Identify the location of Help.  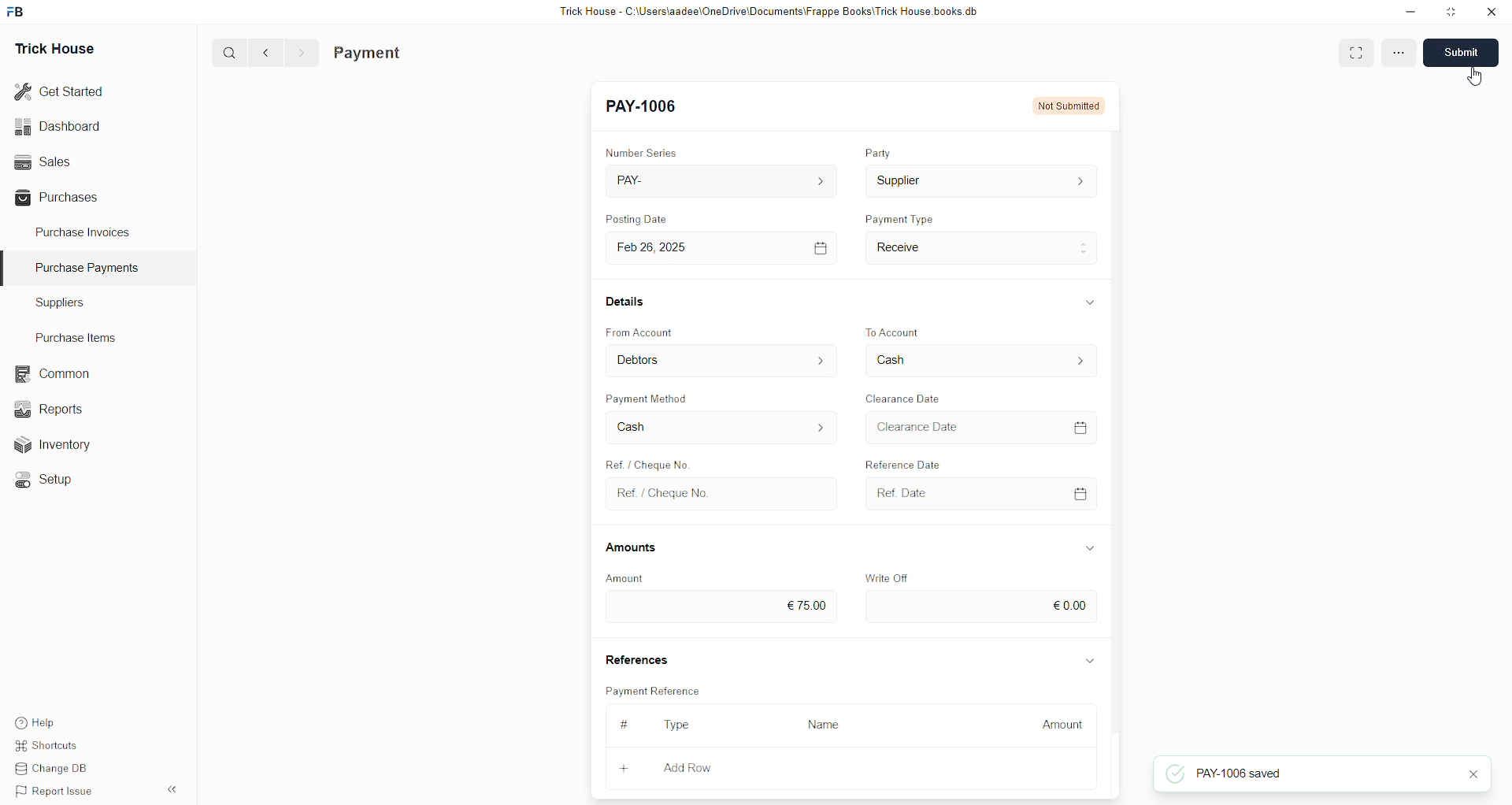
(35, 723).